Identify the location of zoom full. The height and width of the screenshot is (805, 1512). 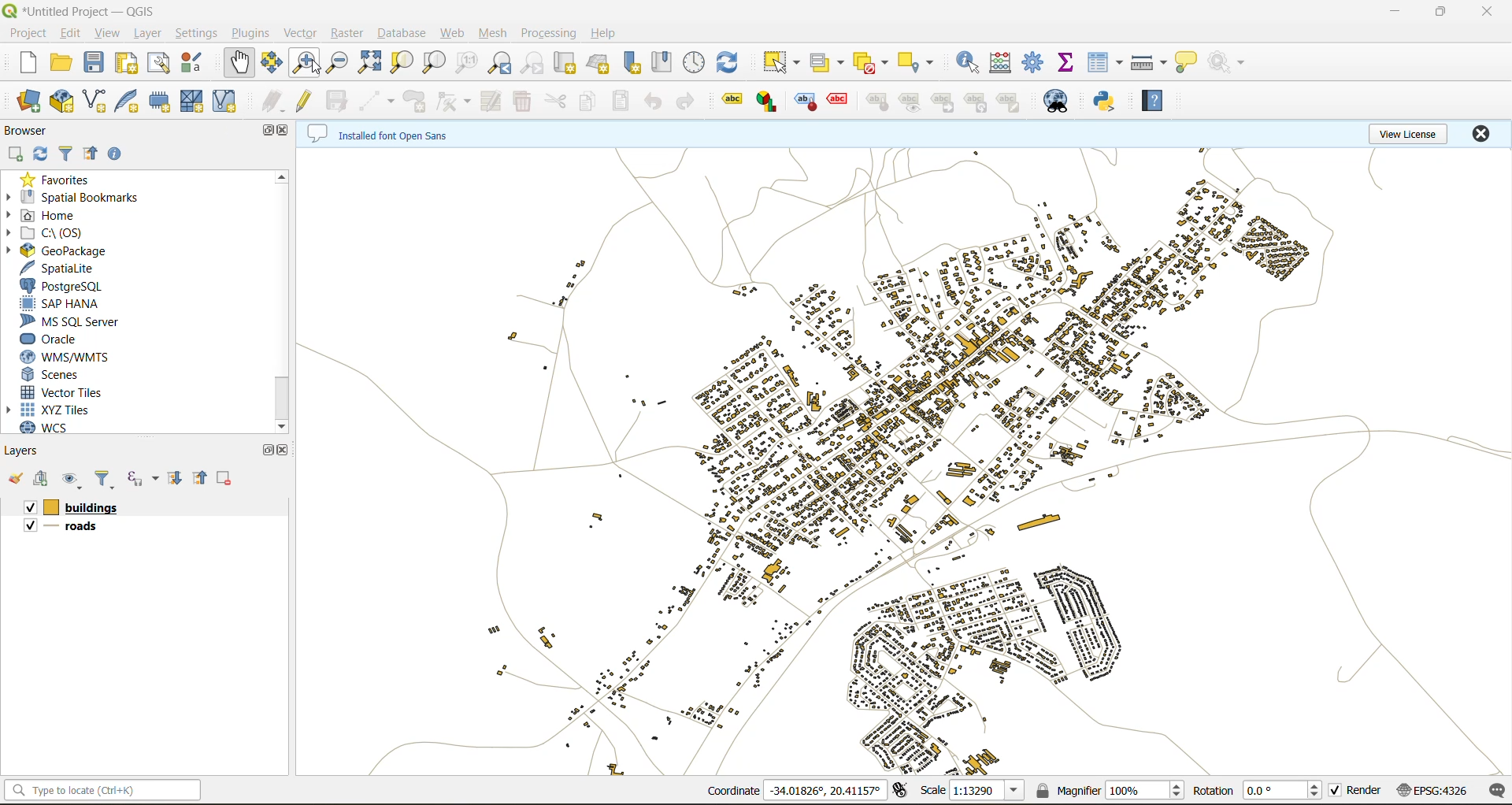
(371, 63).